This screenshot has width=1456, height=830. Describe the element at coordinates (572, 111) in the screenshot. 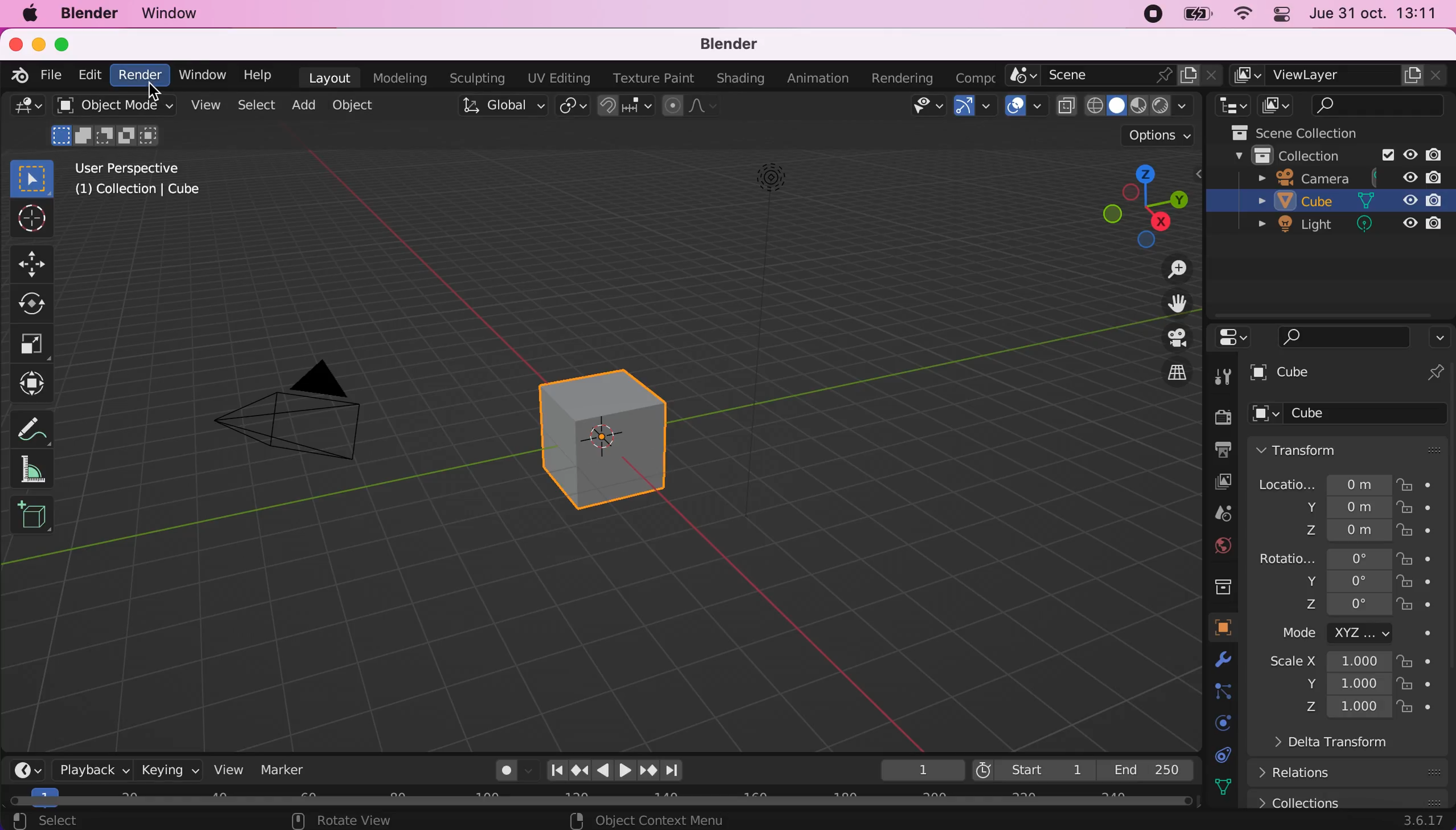

I see `transform pivot` at that location.